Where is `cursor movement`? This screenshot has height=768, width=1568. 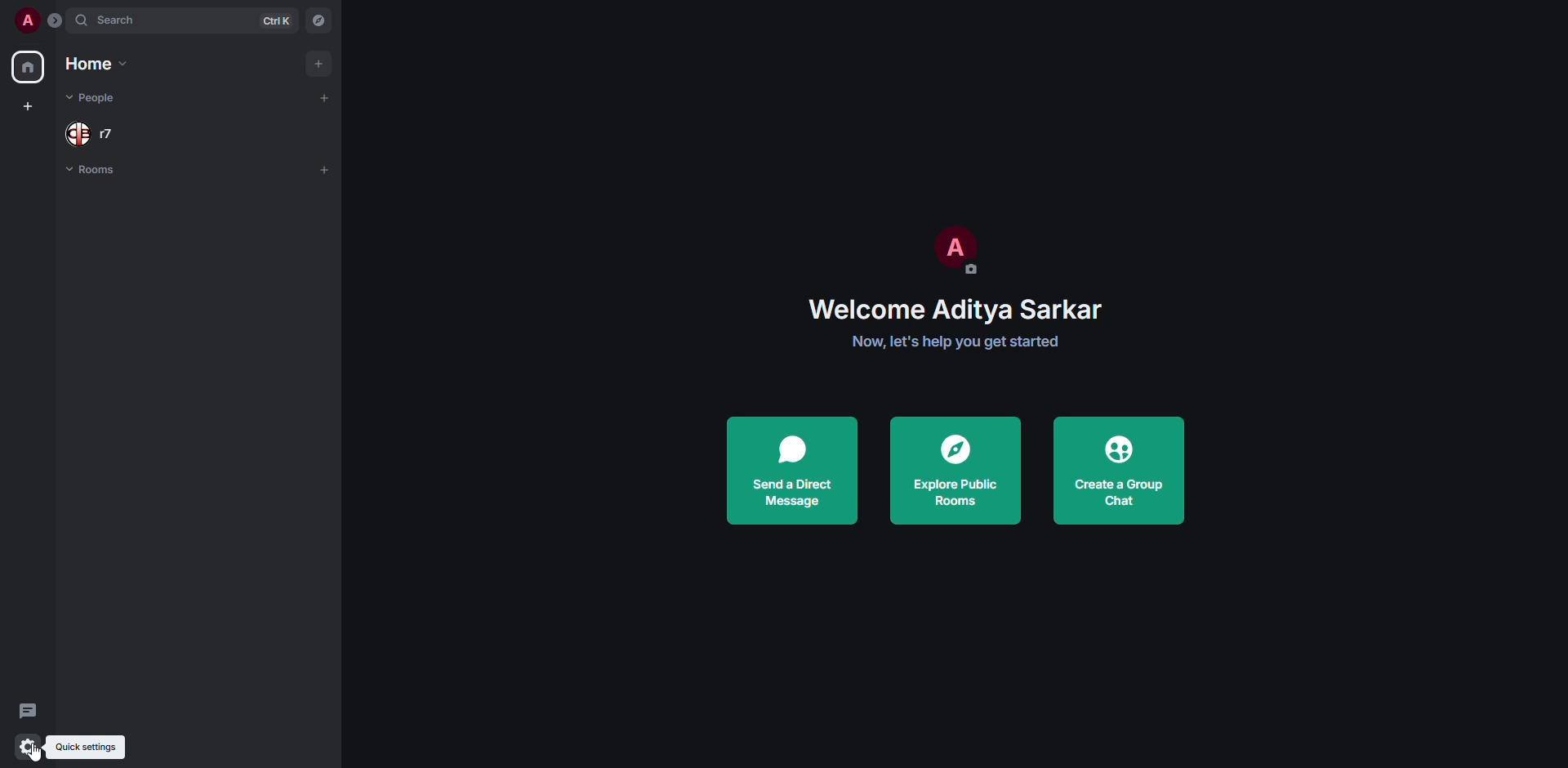
cursor movement is located at coordinates (38, 757).